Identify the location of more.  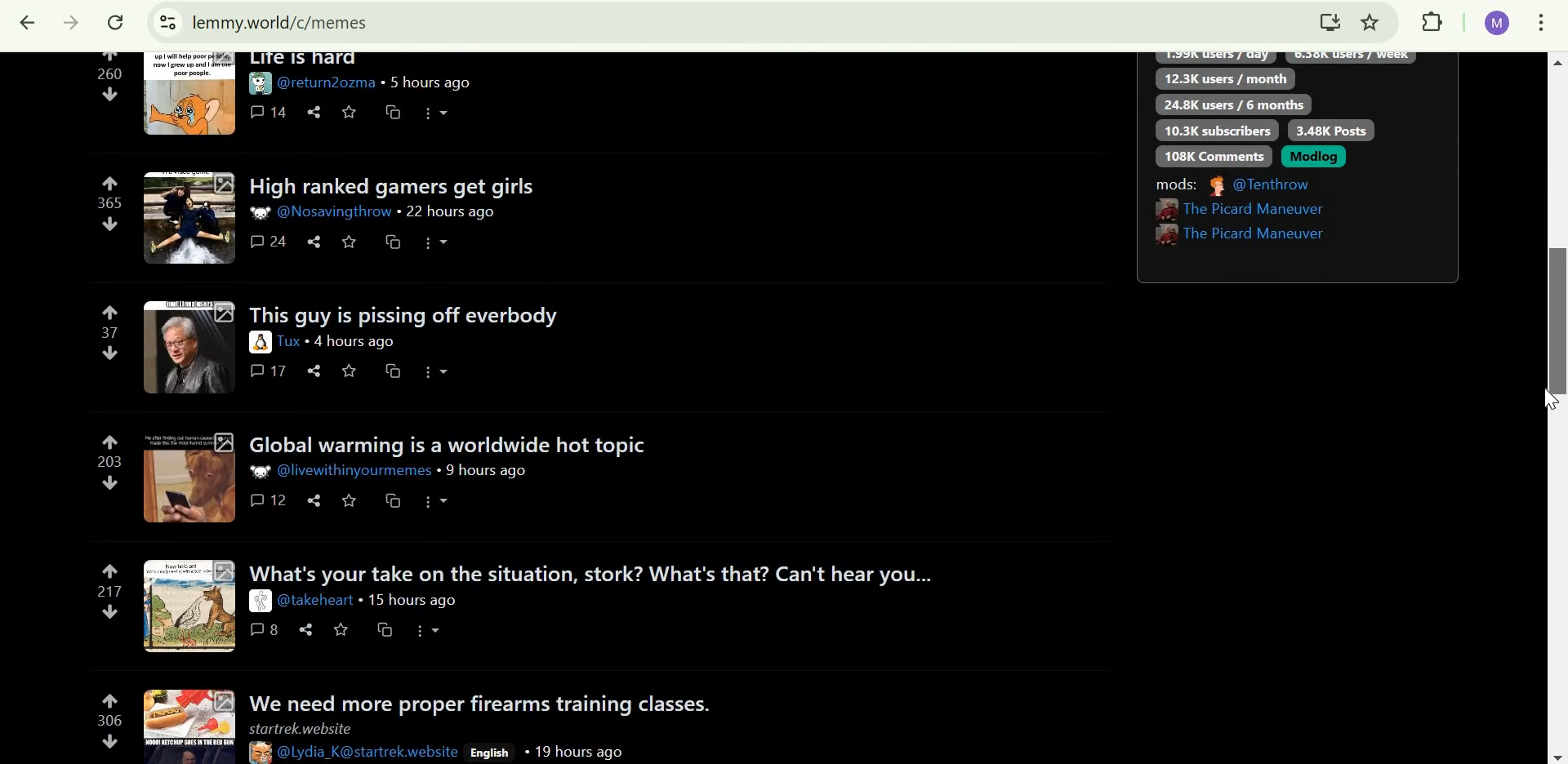
(434, 242).